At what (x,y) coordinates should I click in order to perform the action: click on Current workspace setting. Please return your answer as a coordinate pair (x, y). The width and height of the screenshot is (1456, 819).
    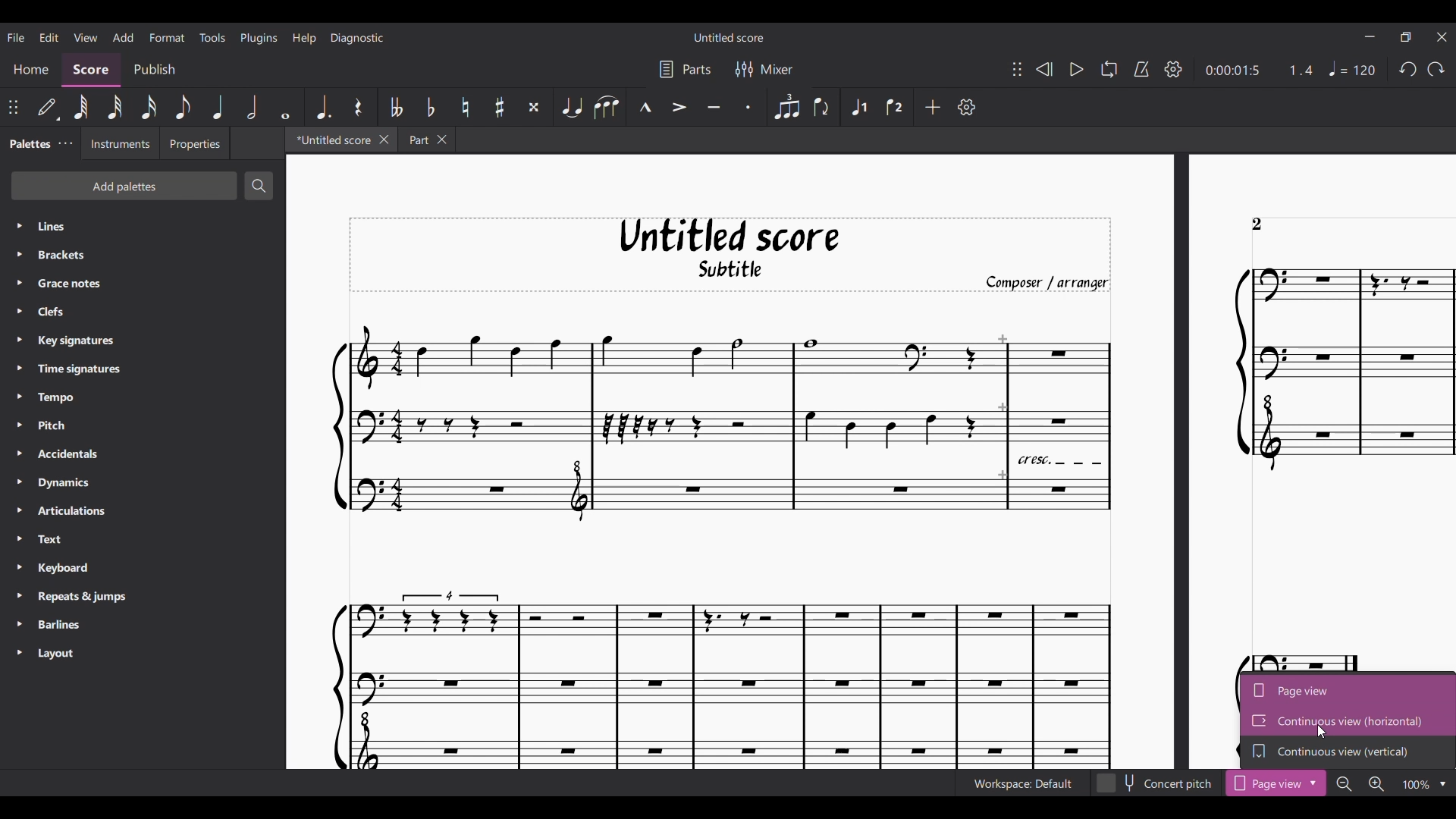
    Looking at the image, I should click on (1022, 783).